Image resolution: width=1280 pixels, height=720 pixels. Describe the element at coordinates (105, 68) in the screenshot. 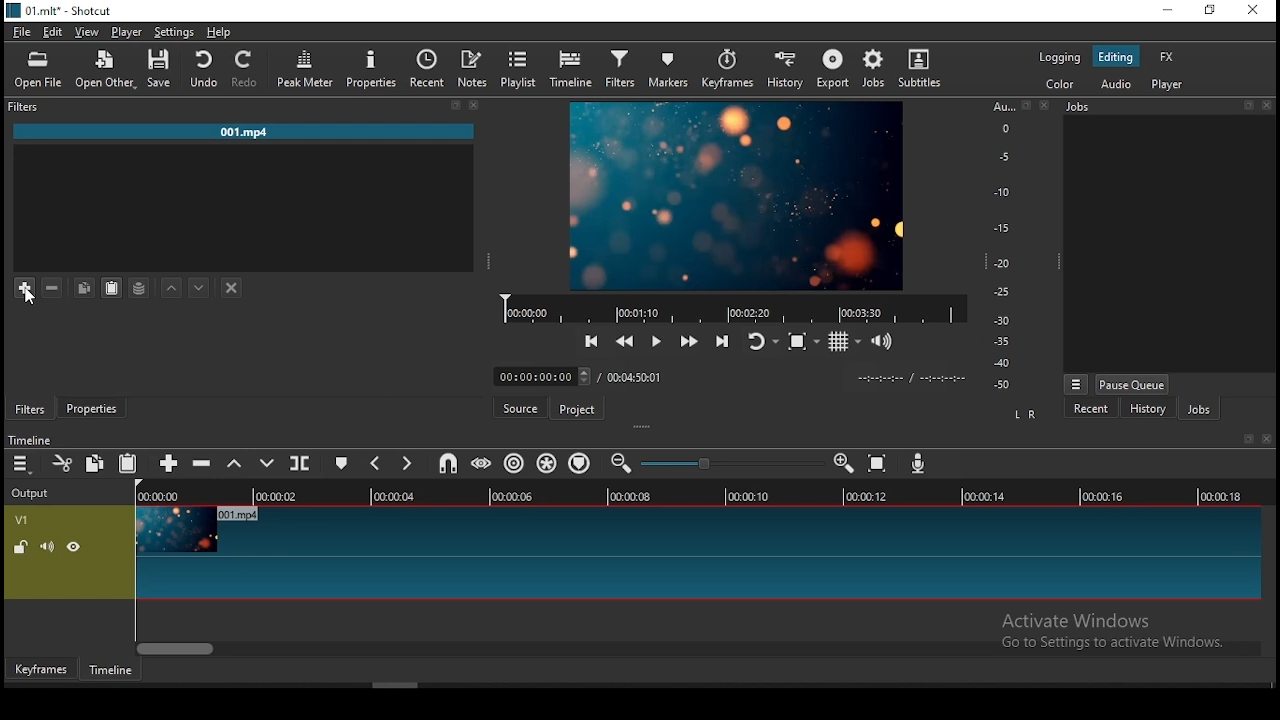

I see `open other` at that location.